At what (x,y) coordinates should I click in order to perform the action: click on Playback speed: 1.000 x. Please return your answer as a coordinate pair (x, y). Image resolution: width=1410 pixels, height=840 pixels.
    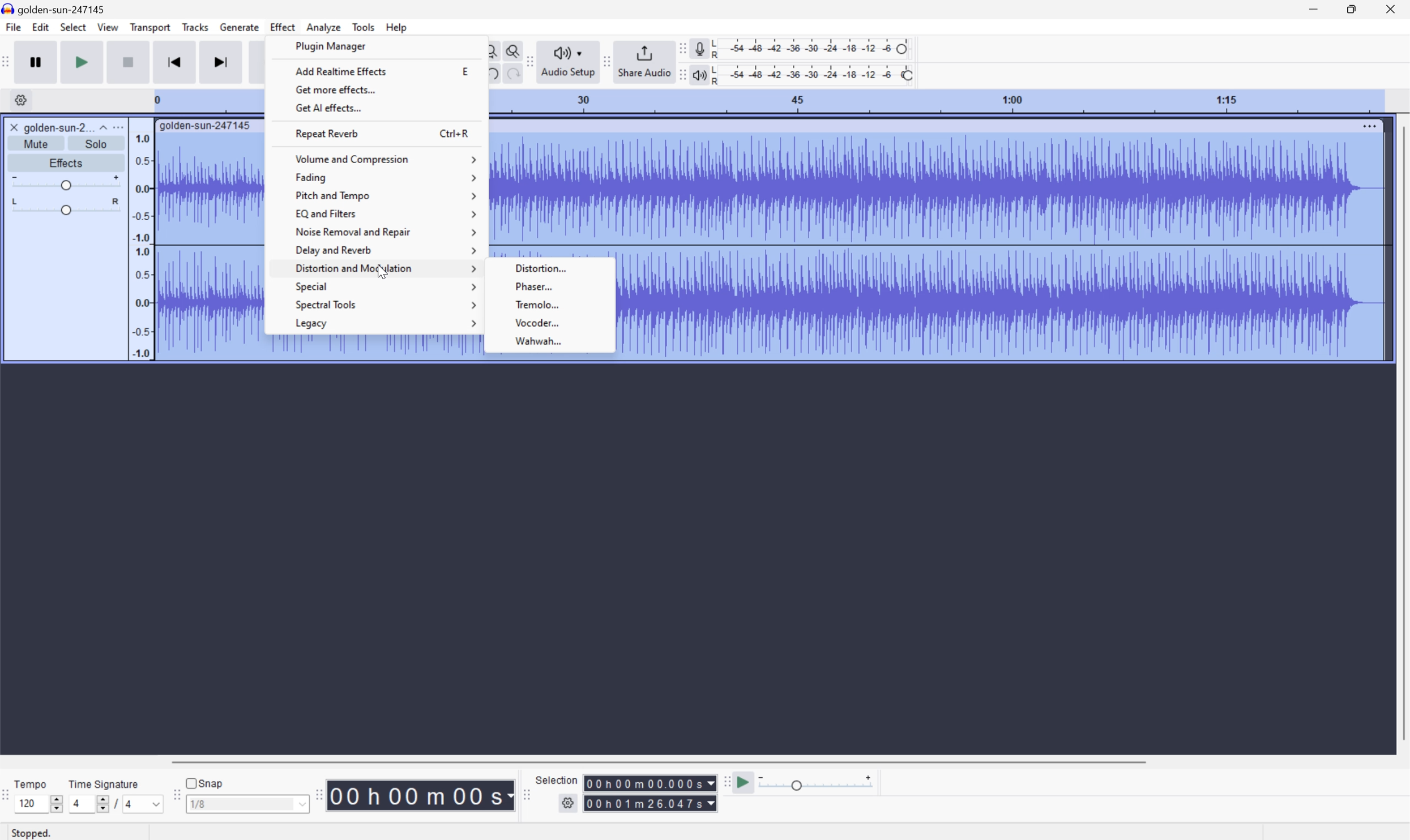
    Looking at the image, I should click on (818, 781).